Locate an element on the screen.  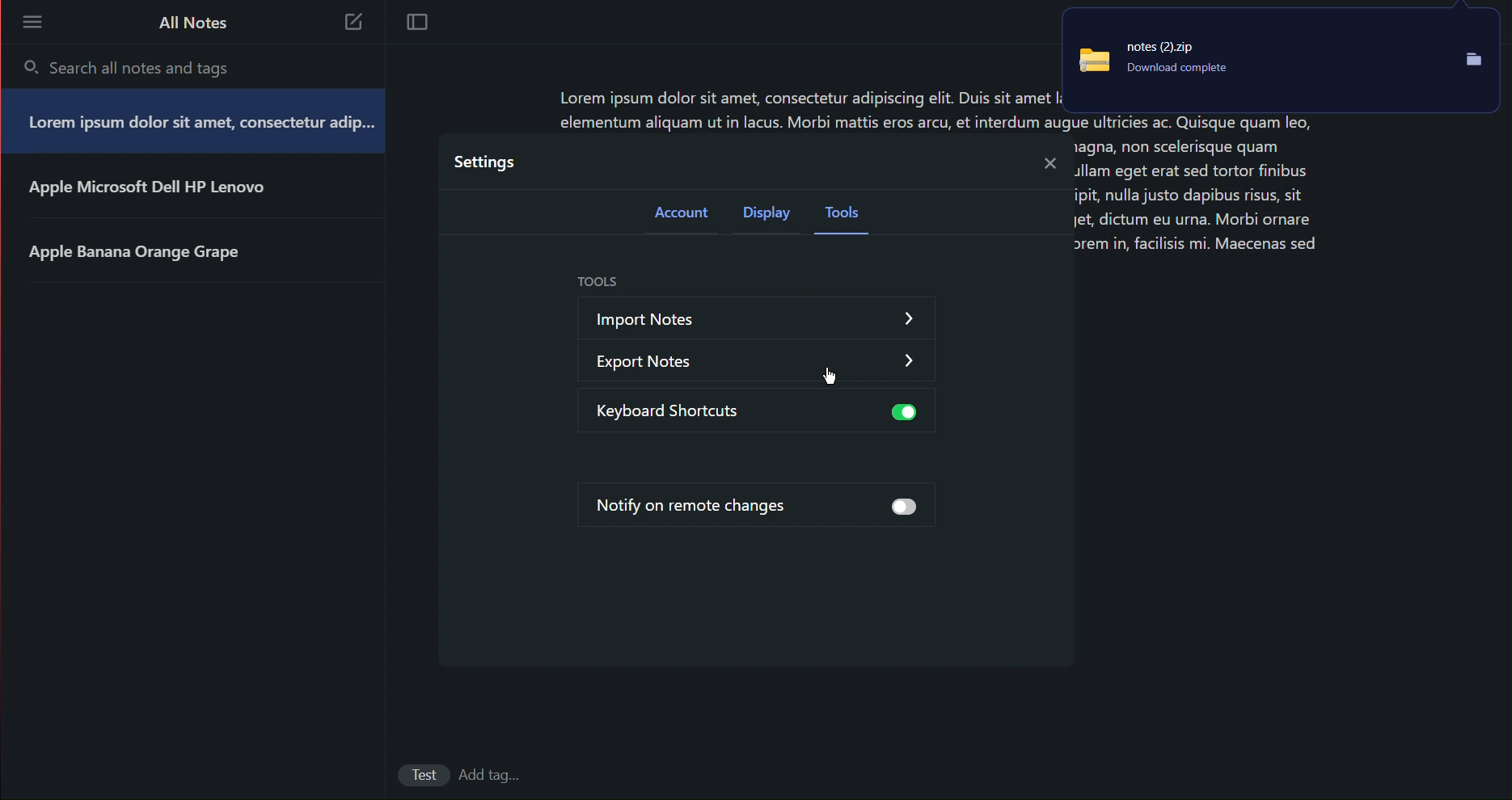
Settings is located at coordinates (483, 162).